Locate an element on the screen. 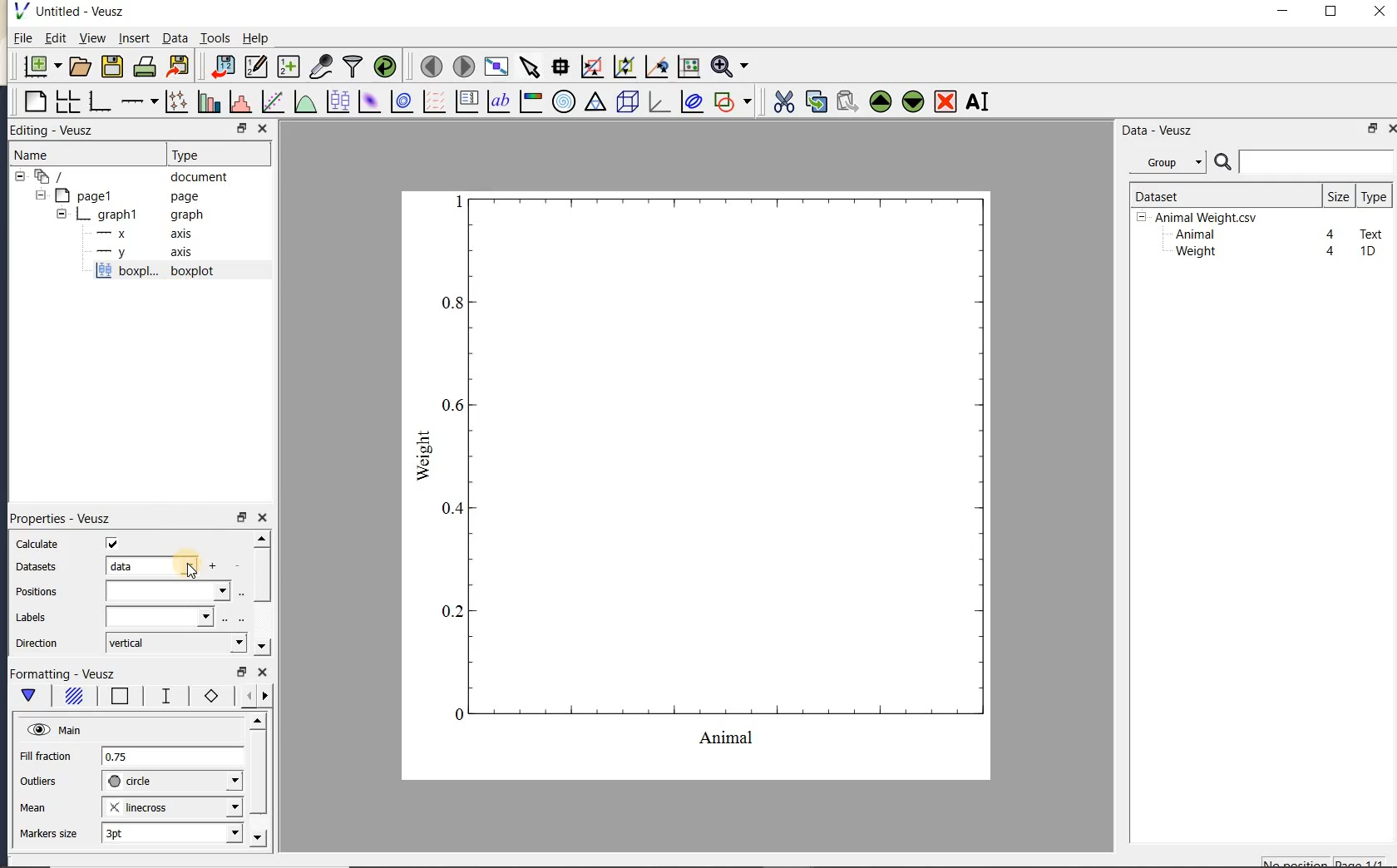 This screenshot has height=868, width=1397. check/uncheck is located at coordinates (112, 543).